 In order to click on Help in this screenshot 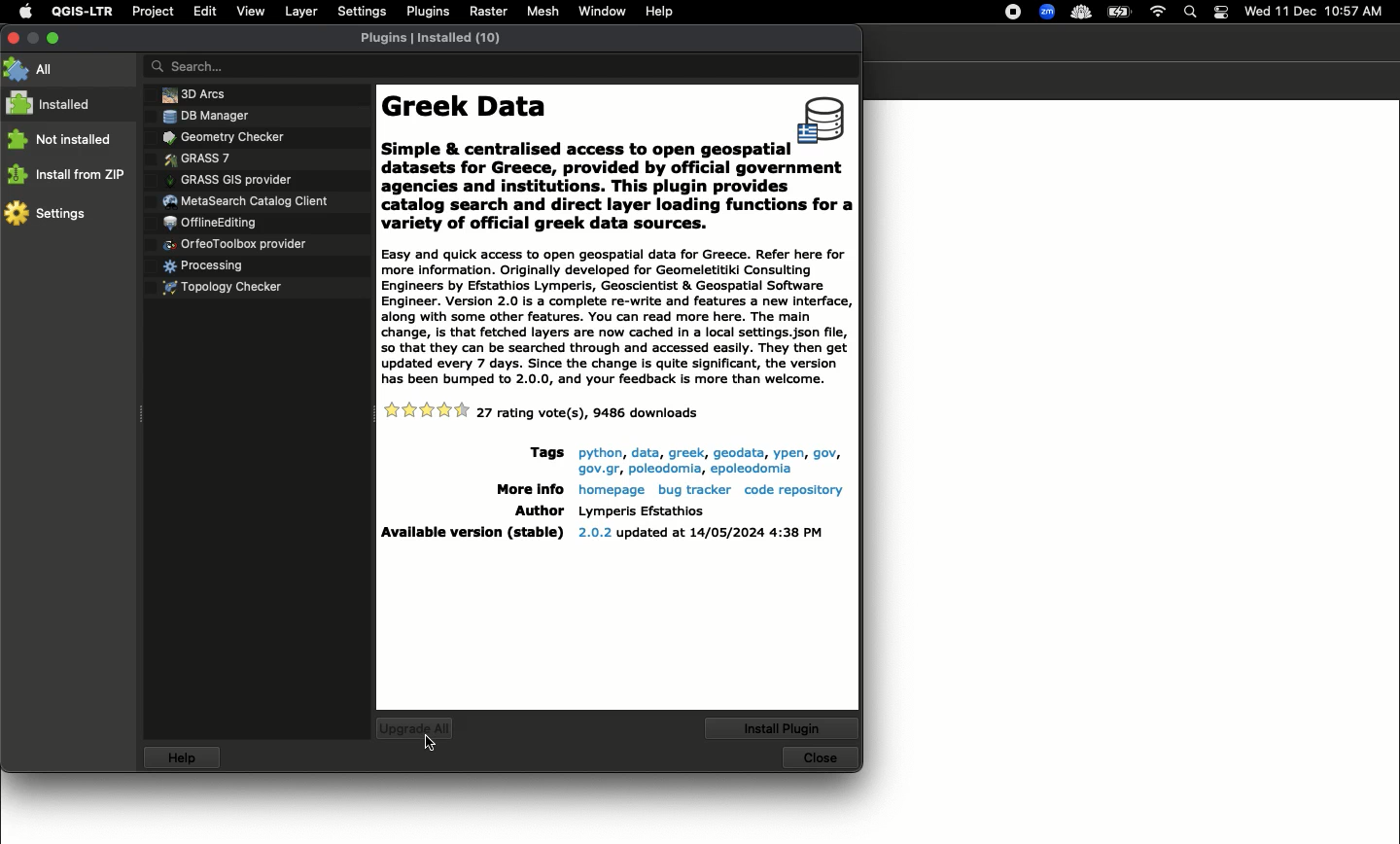, I will do `click(185, 759)`.